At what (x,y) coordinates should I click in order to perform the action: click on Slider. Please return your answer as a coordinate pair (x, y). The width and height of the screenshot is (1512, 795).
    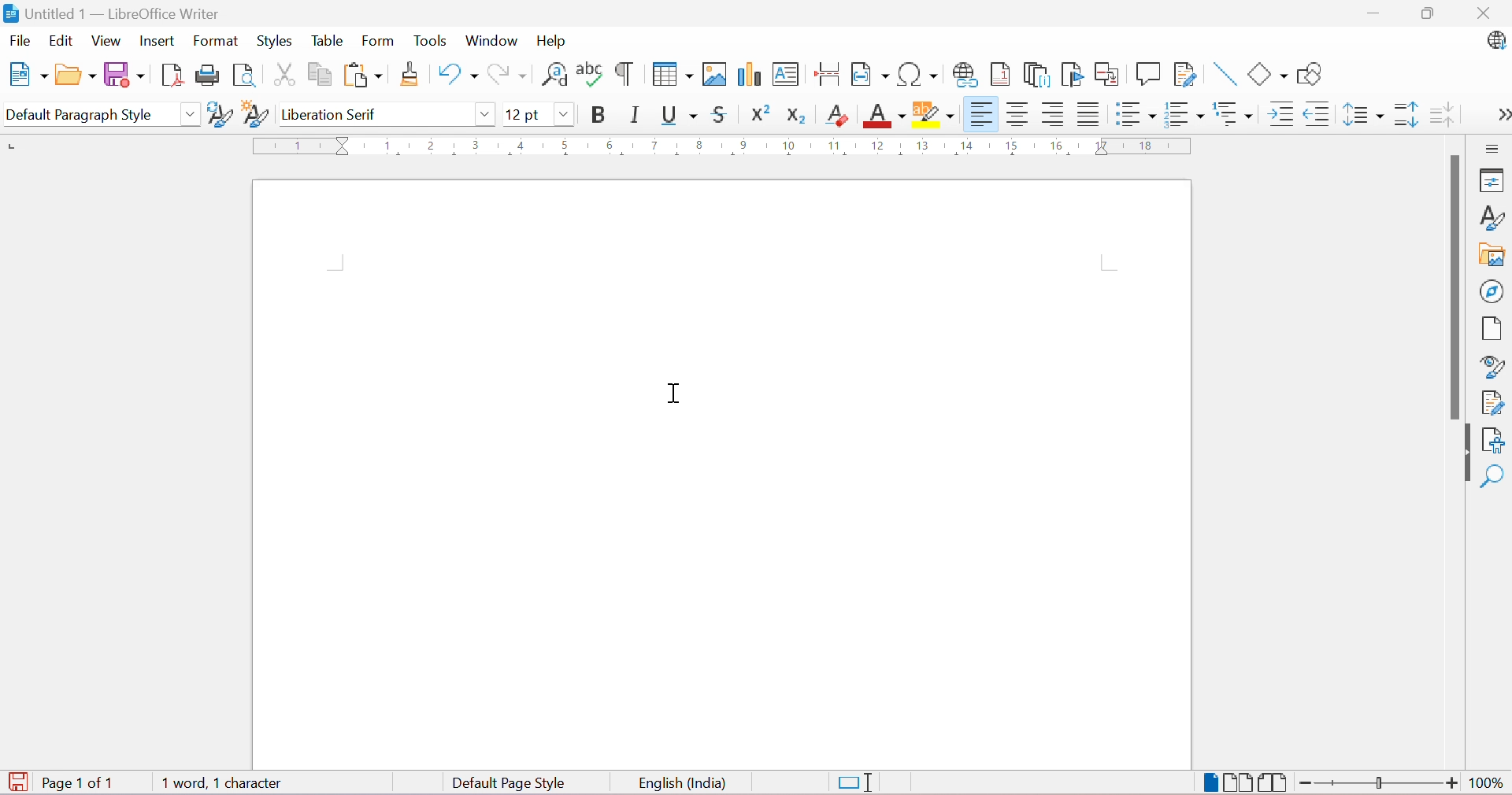
    Looking at the image, I should click on (1380, 783).